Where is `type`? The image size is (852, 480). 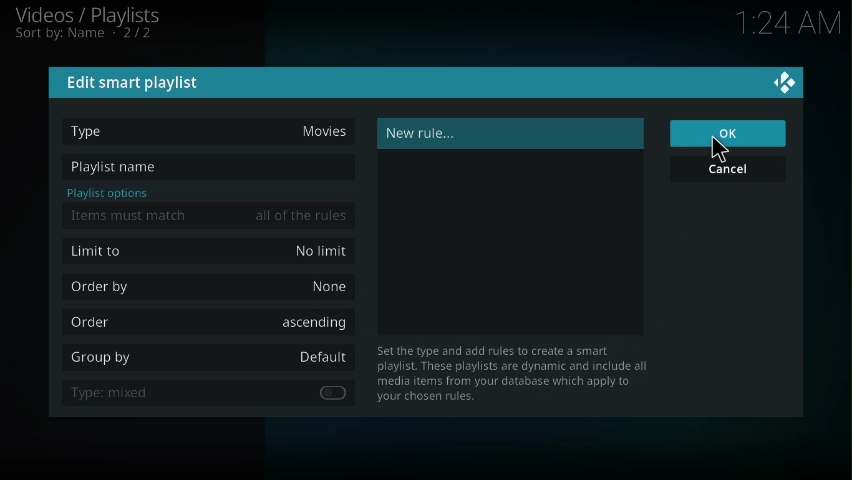 type is located at coordinates (96, 132).